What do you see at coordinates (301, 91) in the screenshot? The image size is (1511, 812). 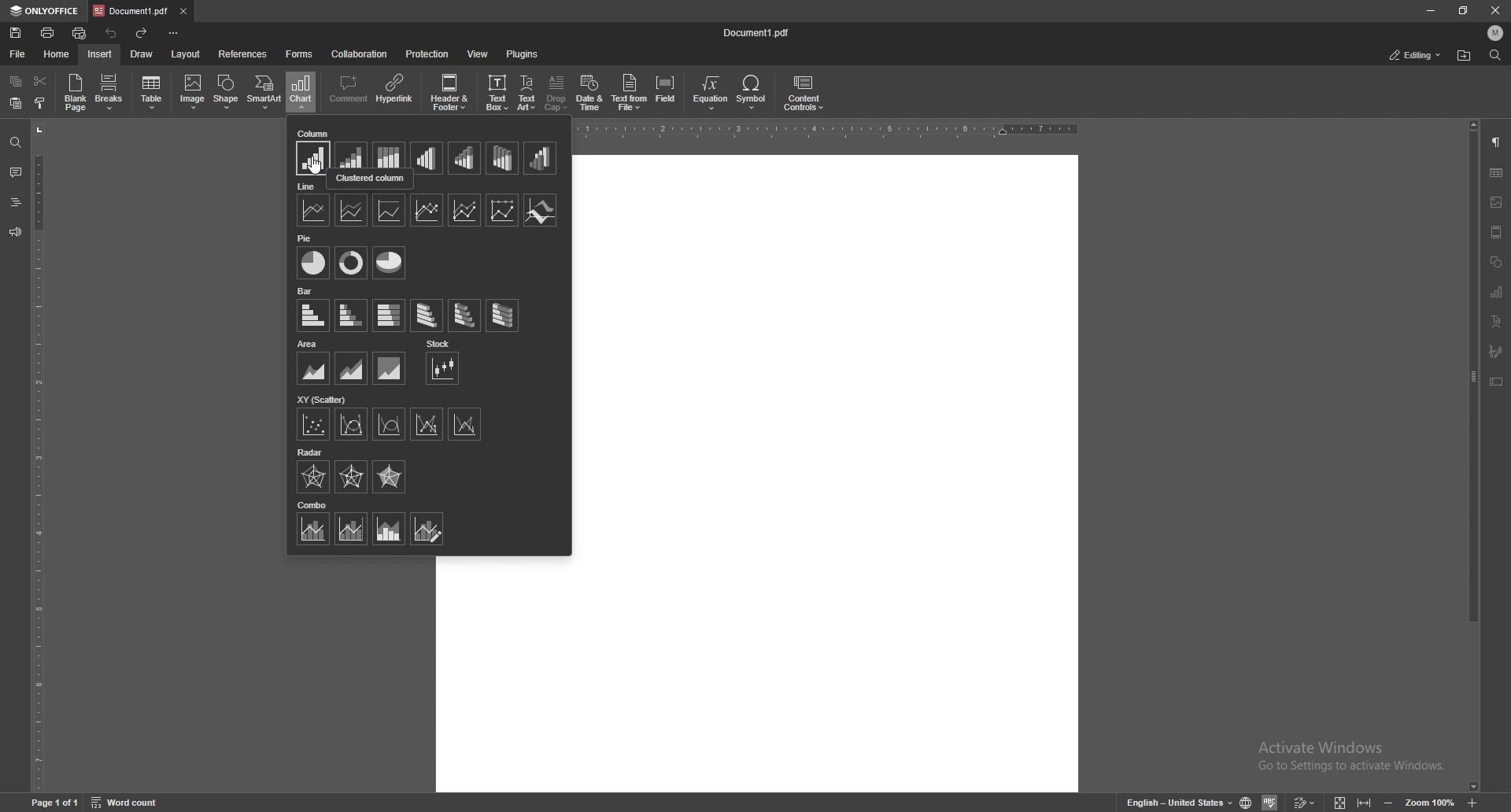 I see `chart` at bounding box center [301, 91].